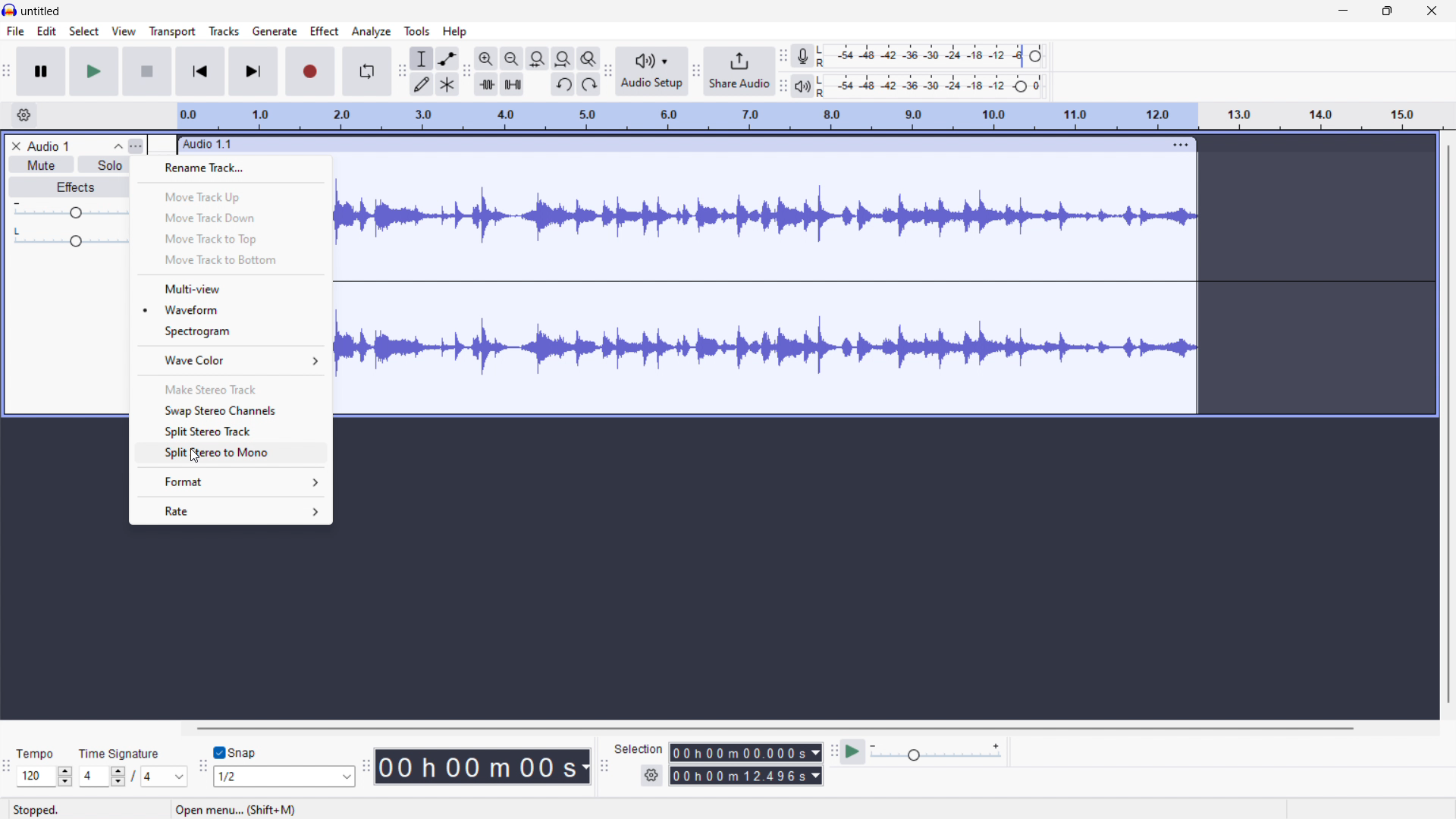 The height and width of the screenshot is (819, 1456). What do you see at coordinates (801, 86) in the screenshot?
I see `playback meter` at bounding box center [801, 86].